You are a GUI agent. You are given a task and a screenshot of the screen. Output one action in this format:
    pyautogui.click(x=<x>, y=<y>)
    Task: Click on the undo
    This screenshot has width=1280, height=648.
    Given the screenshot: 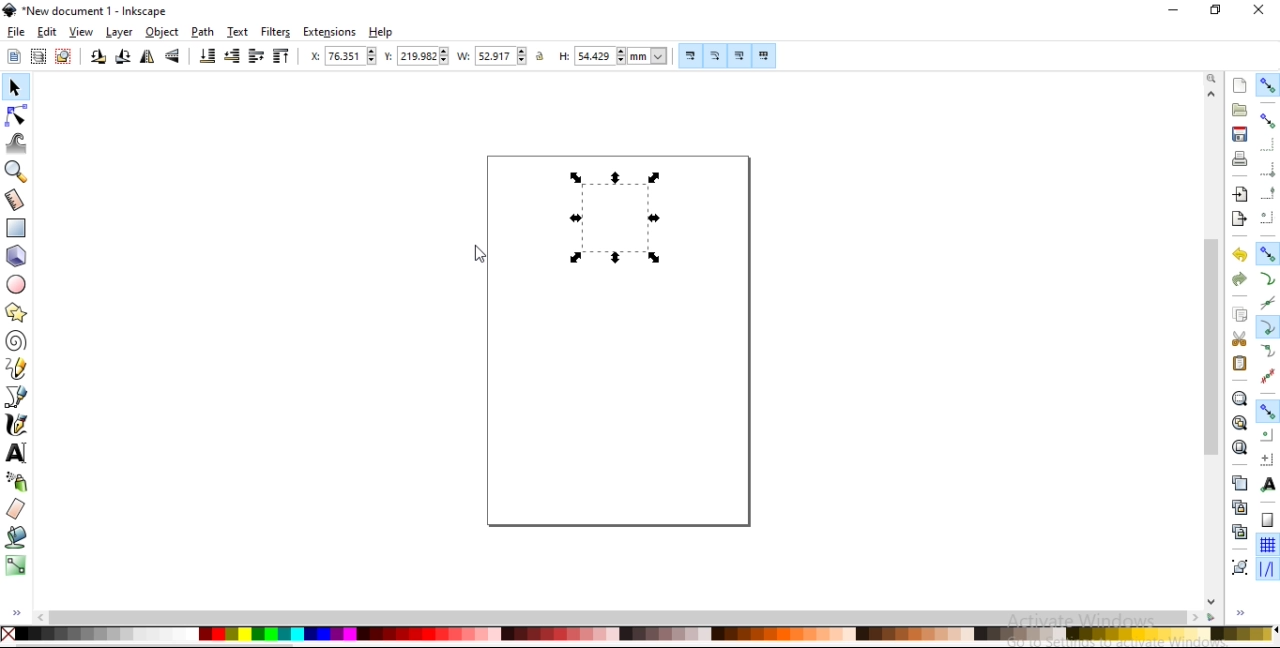 What is the action you would take?
    pyautogui.click(x=1239, y=255)
    